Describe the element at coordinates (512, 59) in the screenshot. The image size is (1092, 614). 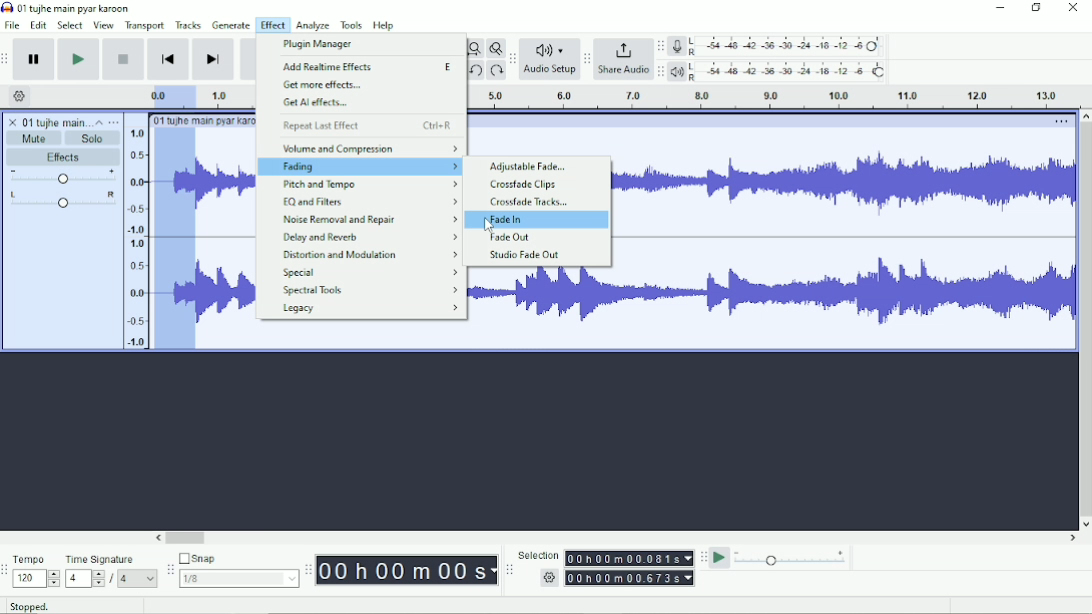
I see `Audacity audio setup toolbar` at that location.